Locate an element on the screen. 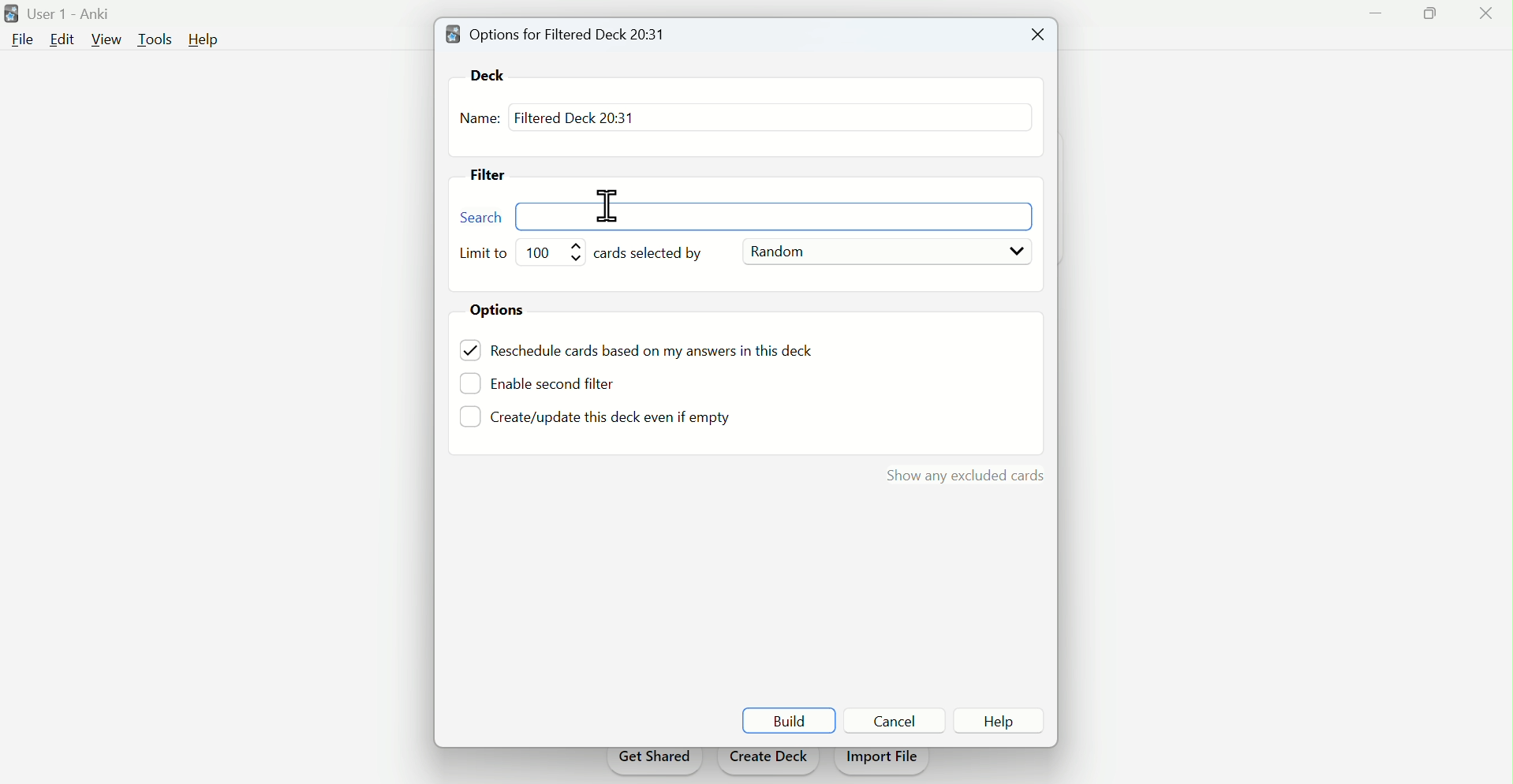   is located at coordinates (999, 721).